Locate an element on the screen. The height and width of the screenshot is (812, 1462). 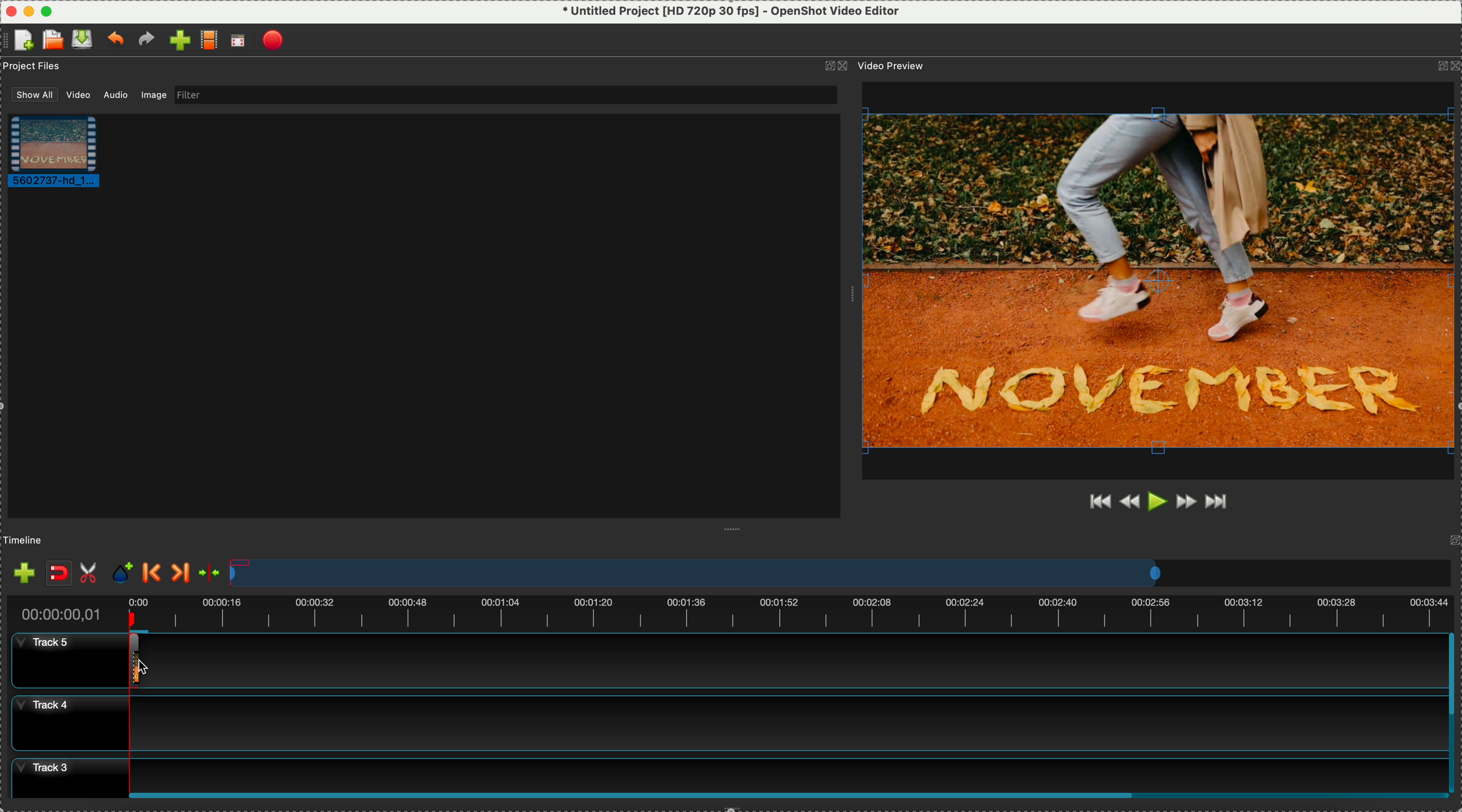
jump to end is located at coordinates (1221, 504).